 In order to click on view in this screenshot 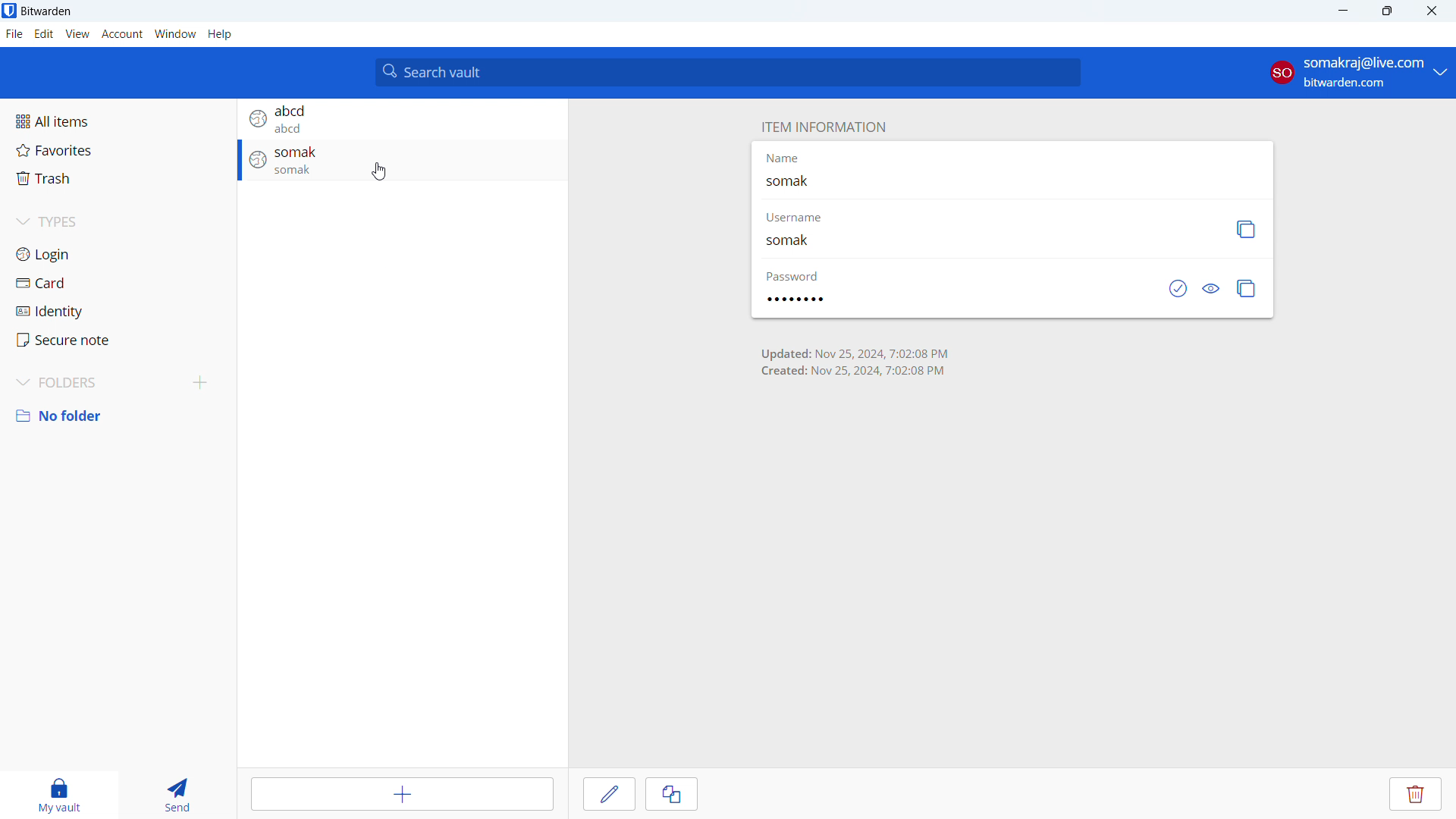, I will do `click(77, 34)`.